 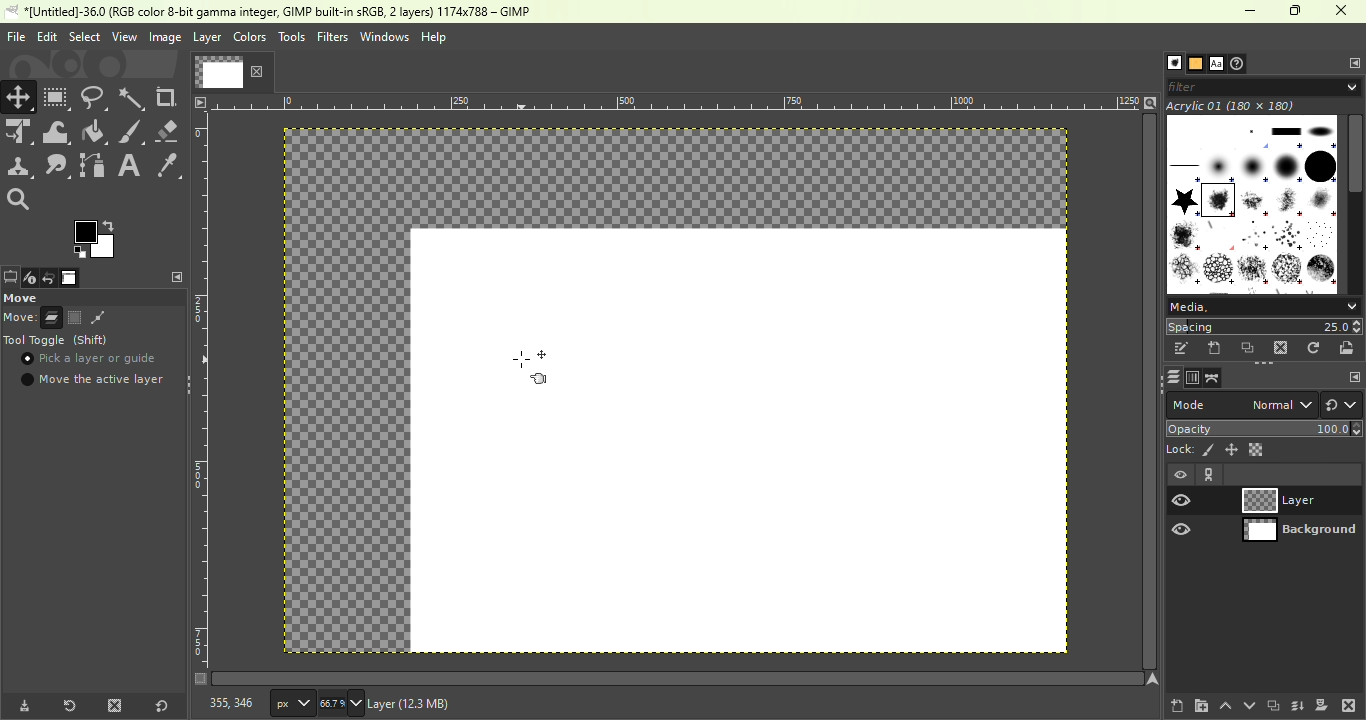 What do you see at coordinates (24, 200) in the screenshot?
I see `Zoom tool` at bounding box center [24, 200].